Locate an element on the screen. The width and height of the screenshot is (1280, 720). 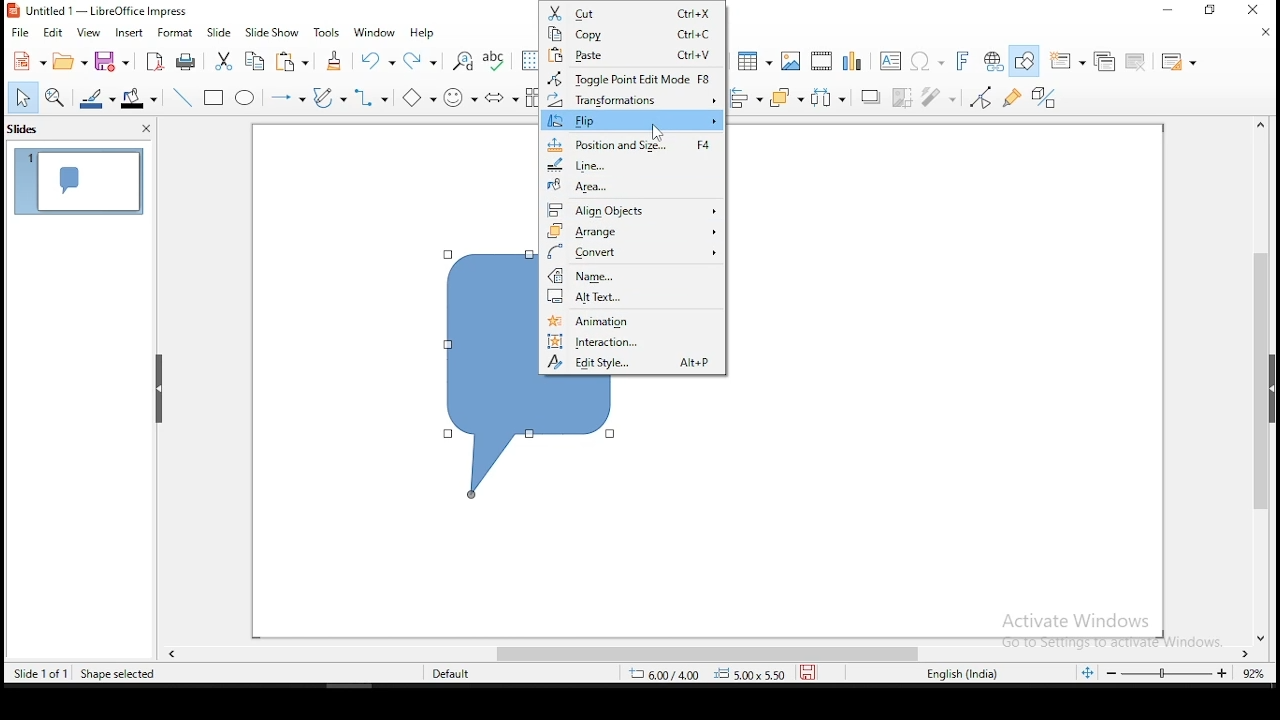
spell check is located at coordinates (495, 61).